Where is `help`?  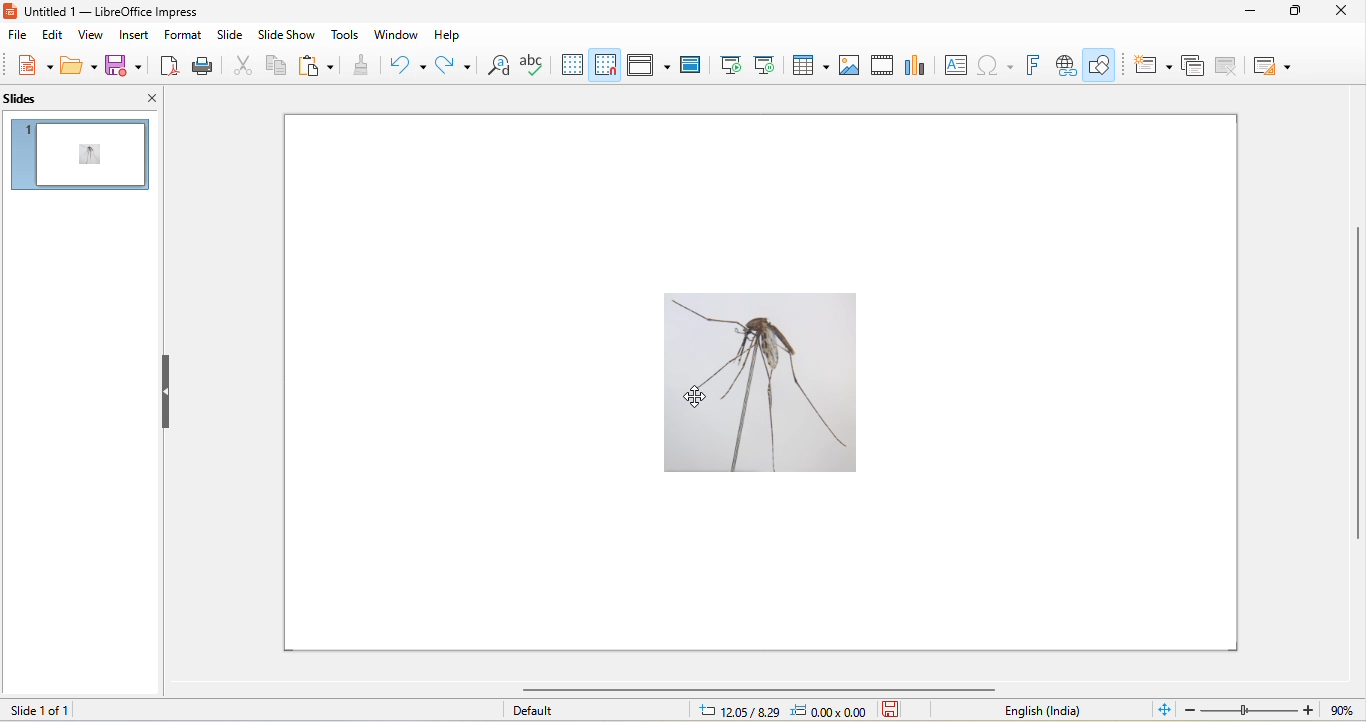 help is located at coordinates (447, 35).